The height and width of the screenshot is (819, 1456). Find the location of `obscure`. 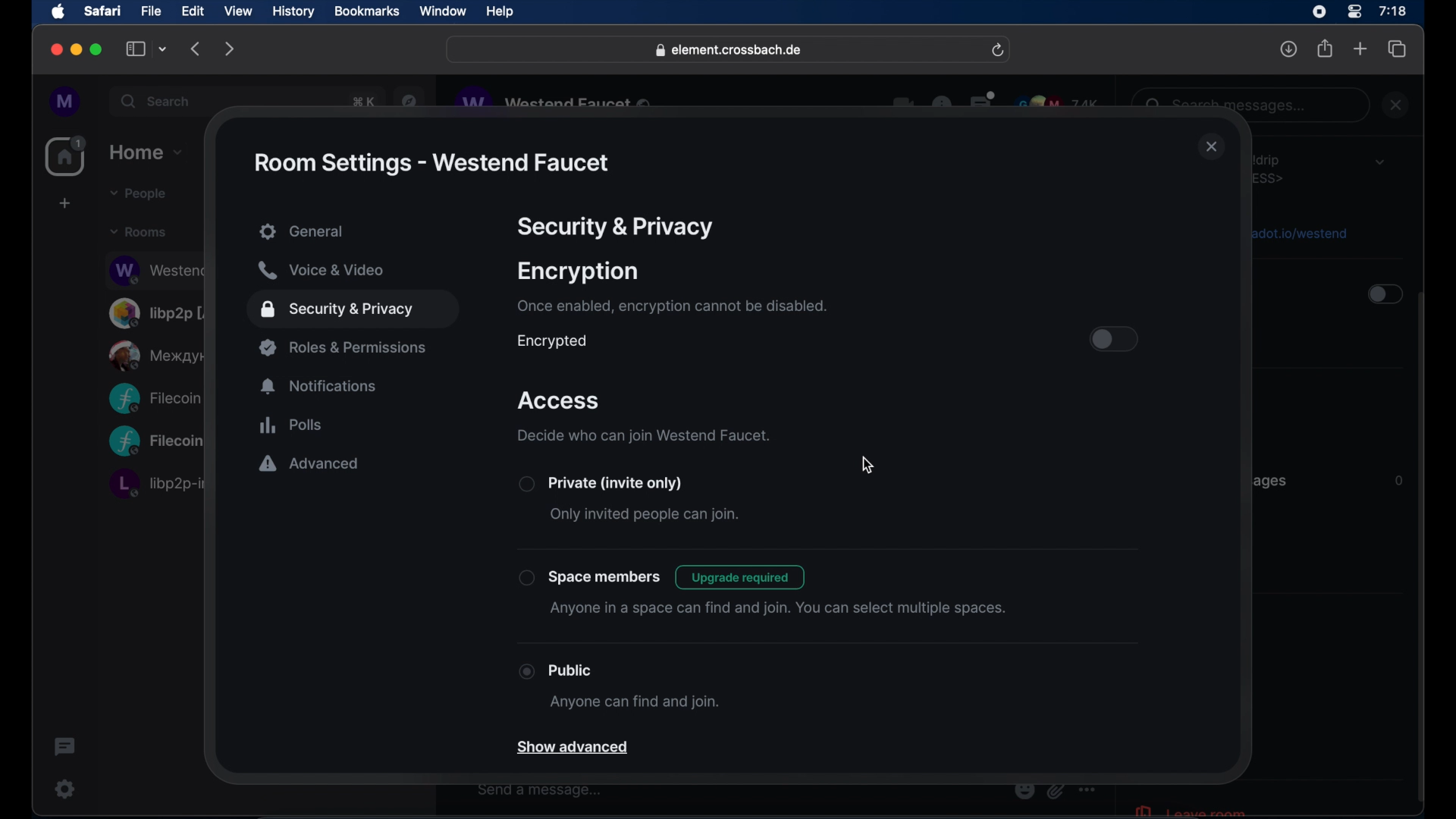

obscure is located at coordinates (1272, 168).